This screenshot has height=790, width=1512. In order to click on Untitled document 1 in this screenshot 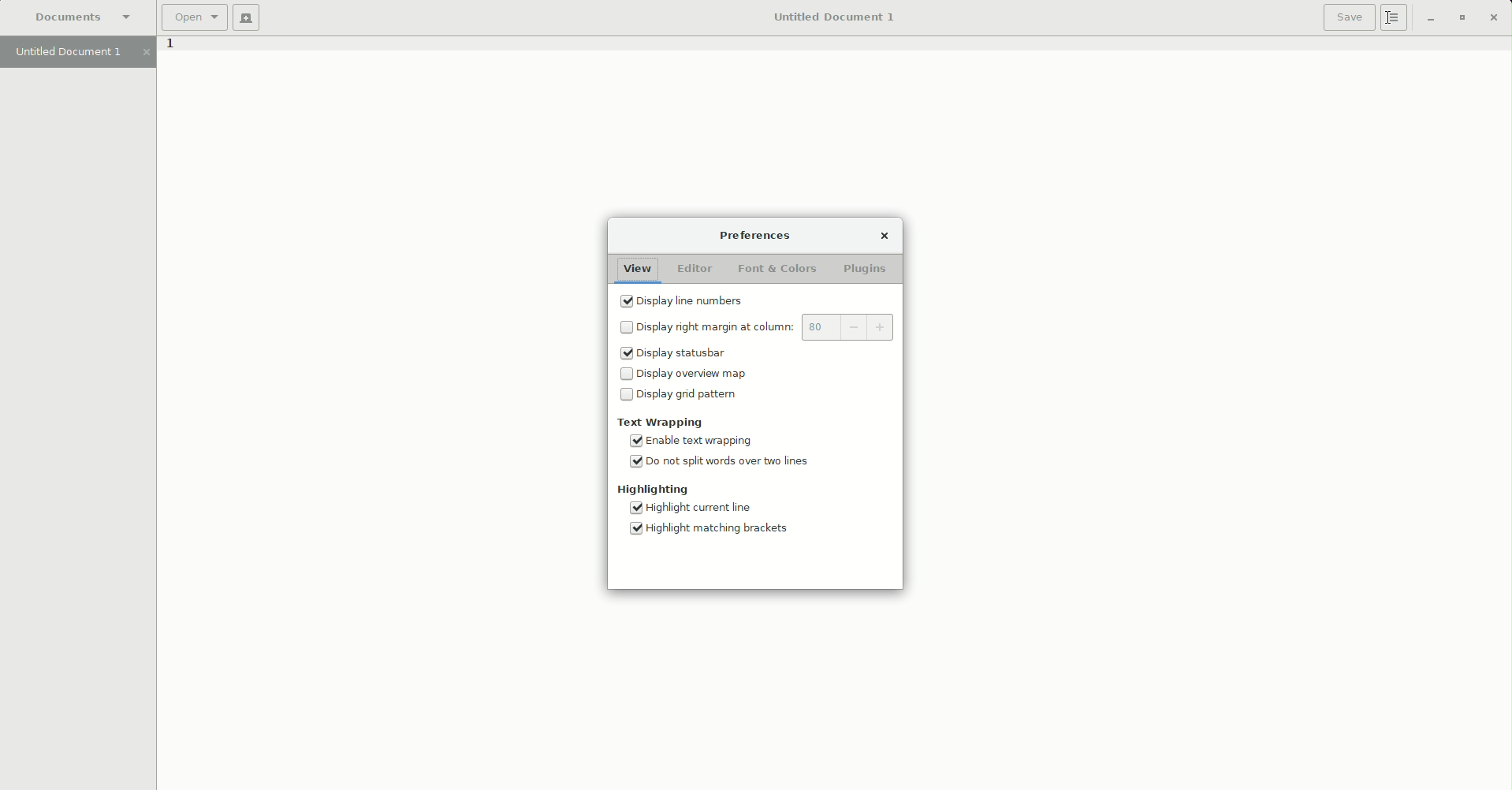, I will do `click(78, 53)`.